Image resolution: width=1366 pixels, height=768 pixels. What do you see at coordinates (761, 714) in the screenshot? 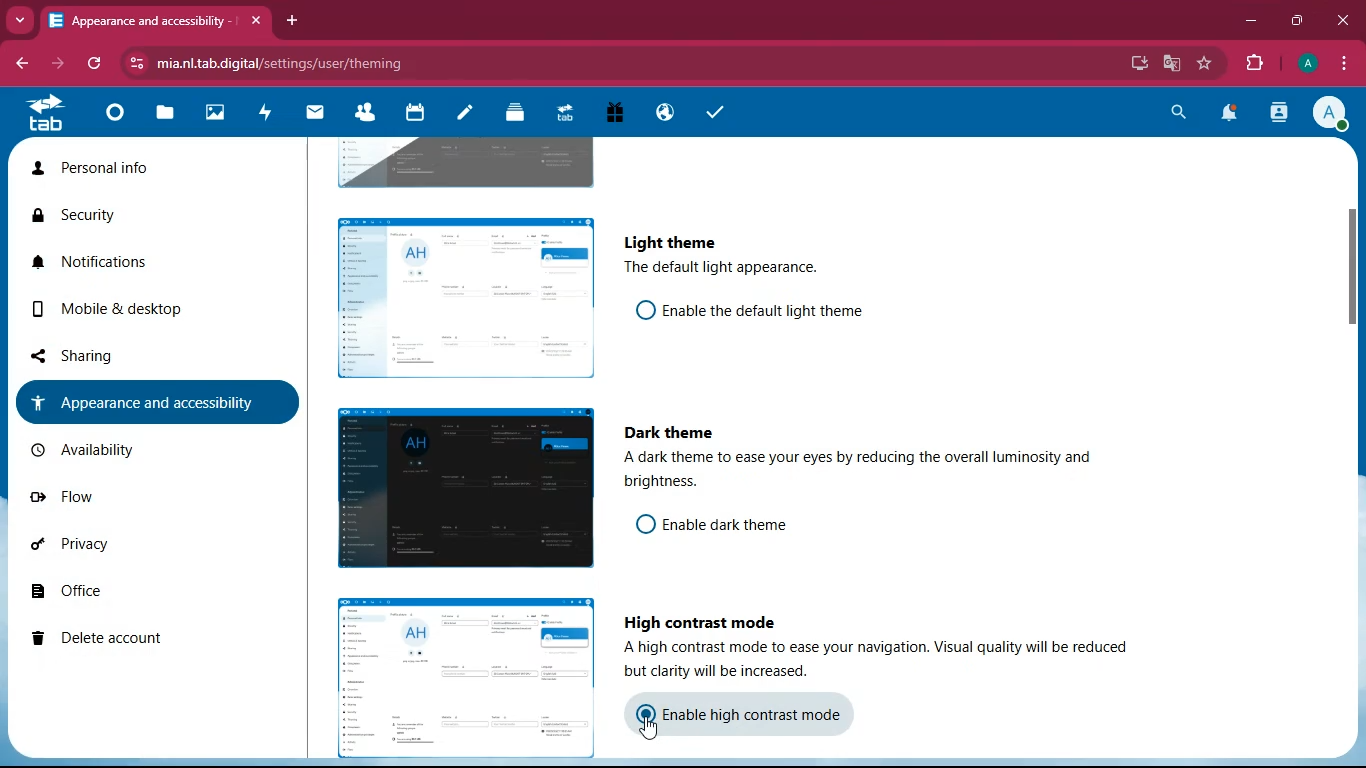
I see `enable high contrast mode` at bounding box center [761, 714].